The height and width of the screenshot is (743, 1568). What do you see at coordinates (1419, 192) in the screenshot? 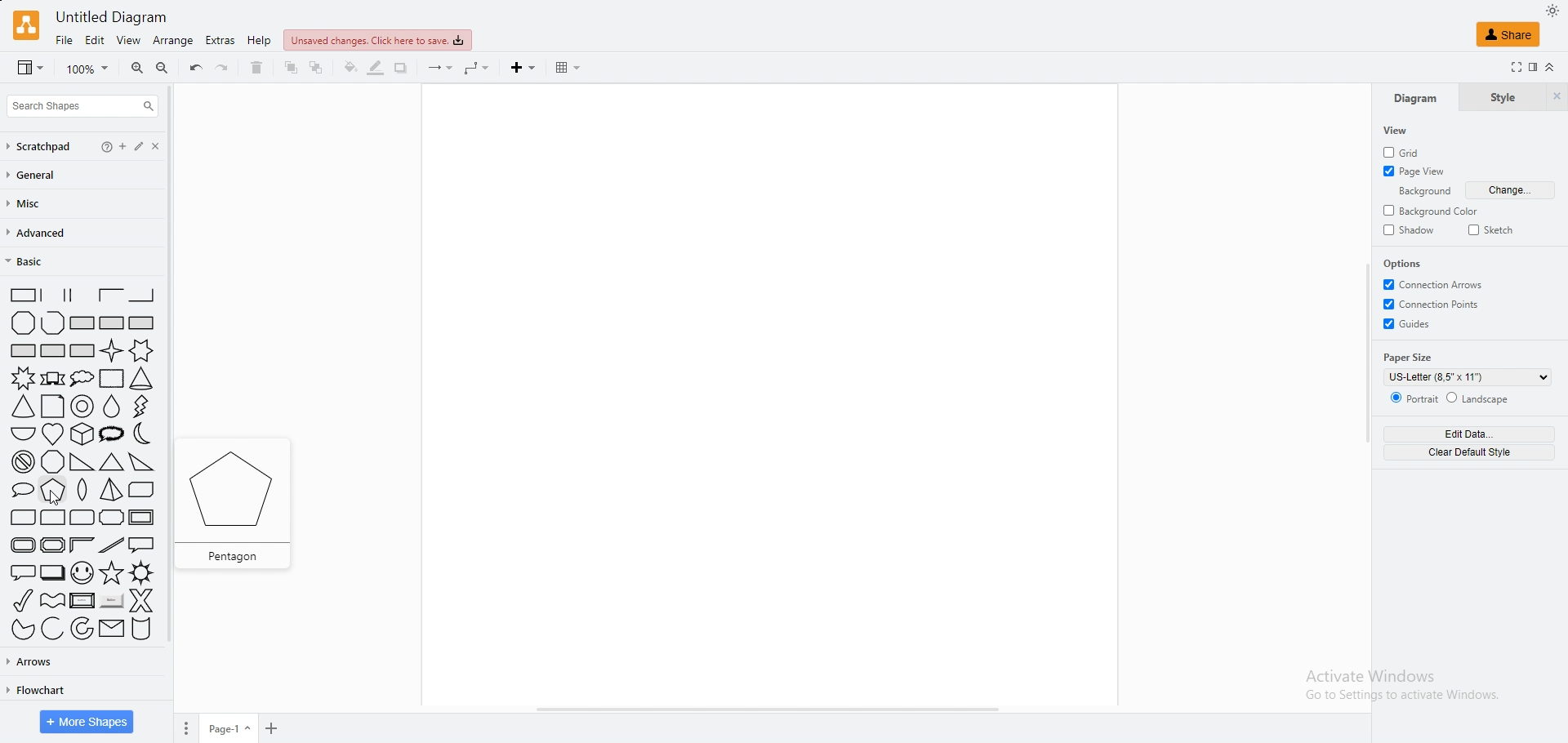
I see `background` at bounding box center [1419, 192].